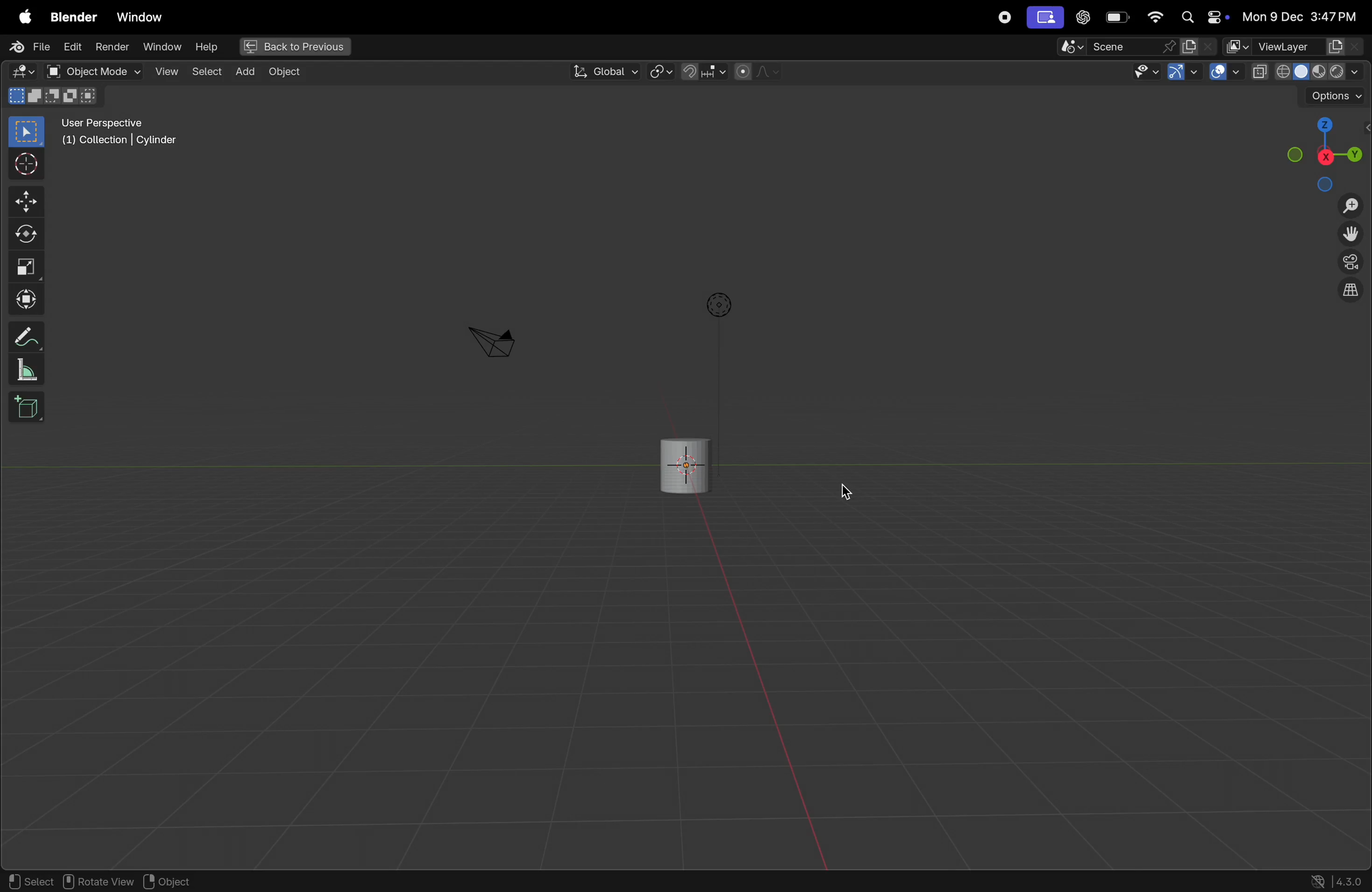  Describe the element at coordinates (1333, 96) in the screenshot. I see `options` at that location.